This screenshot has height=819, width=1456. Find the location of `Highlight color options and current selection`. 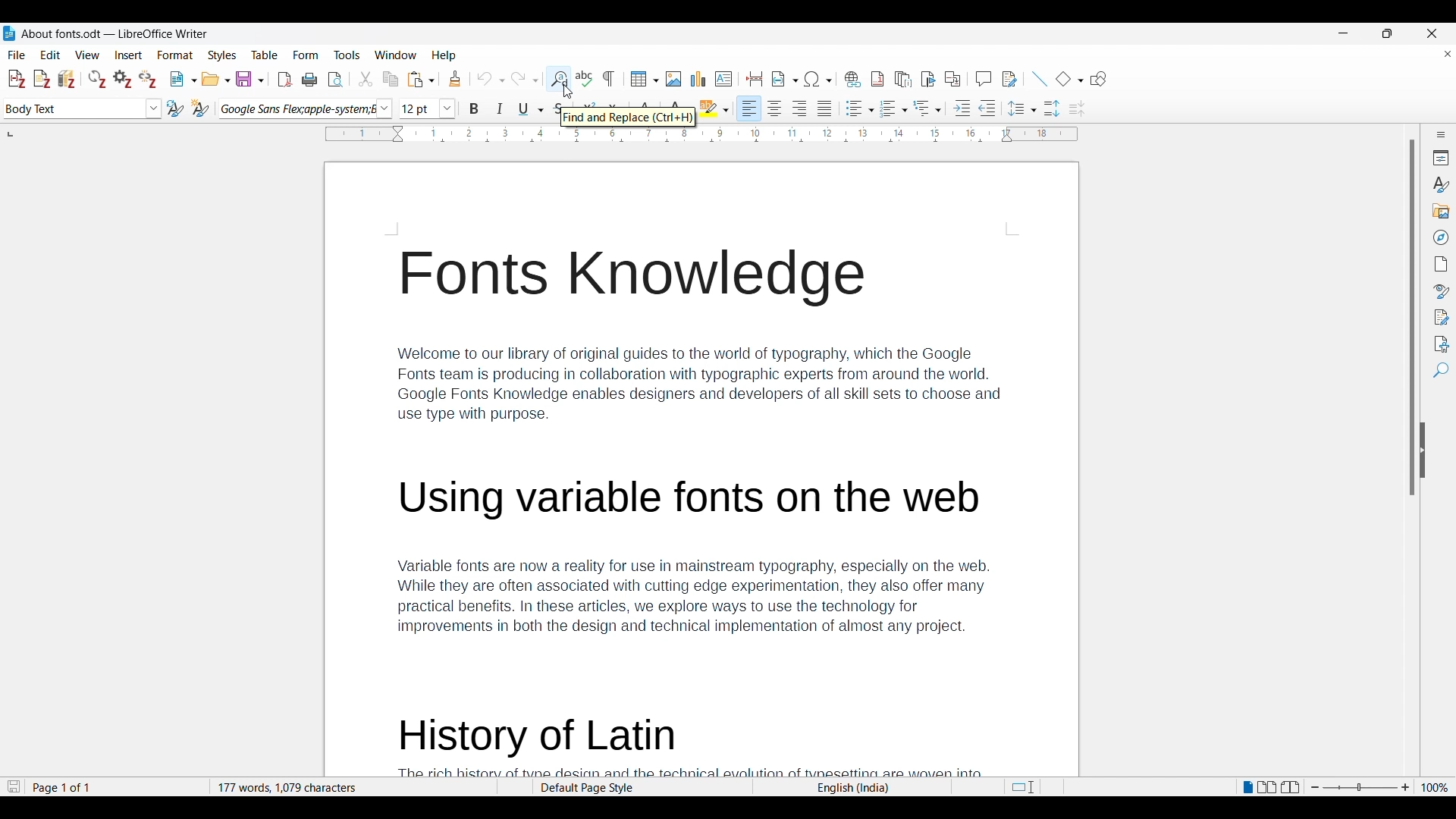

Highlight color options and current selection is located at coordinates (714, 108).